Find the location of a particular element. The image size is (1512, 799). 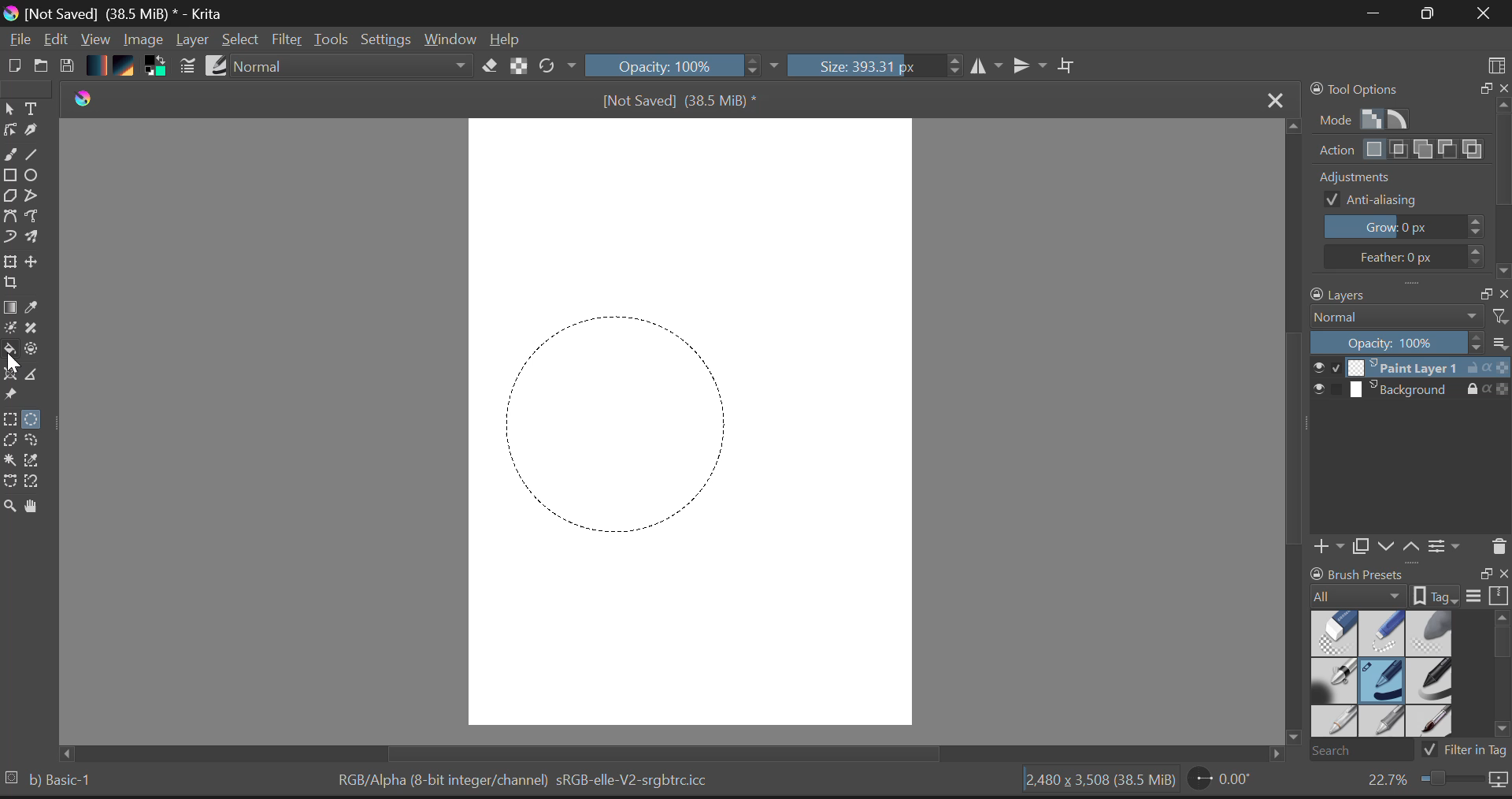

Vertical Mirror Flip is located at coordinates (988, 67).